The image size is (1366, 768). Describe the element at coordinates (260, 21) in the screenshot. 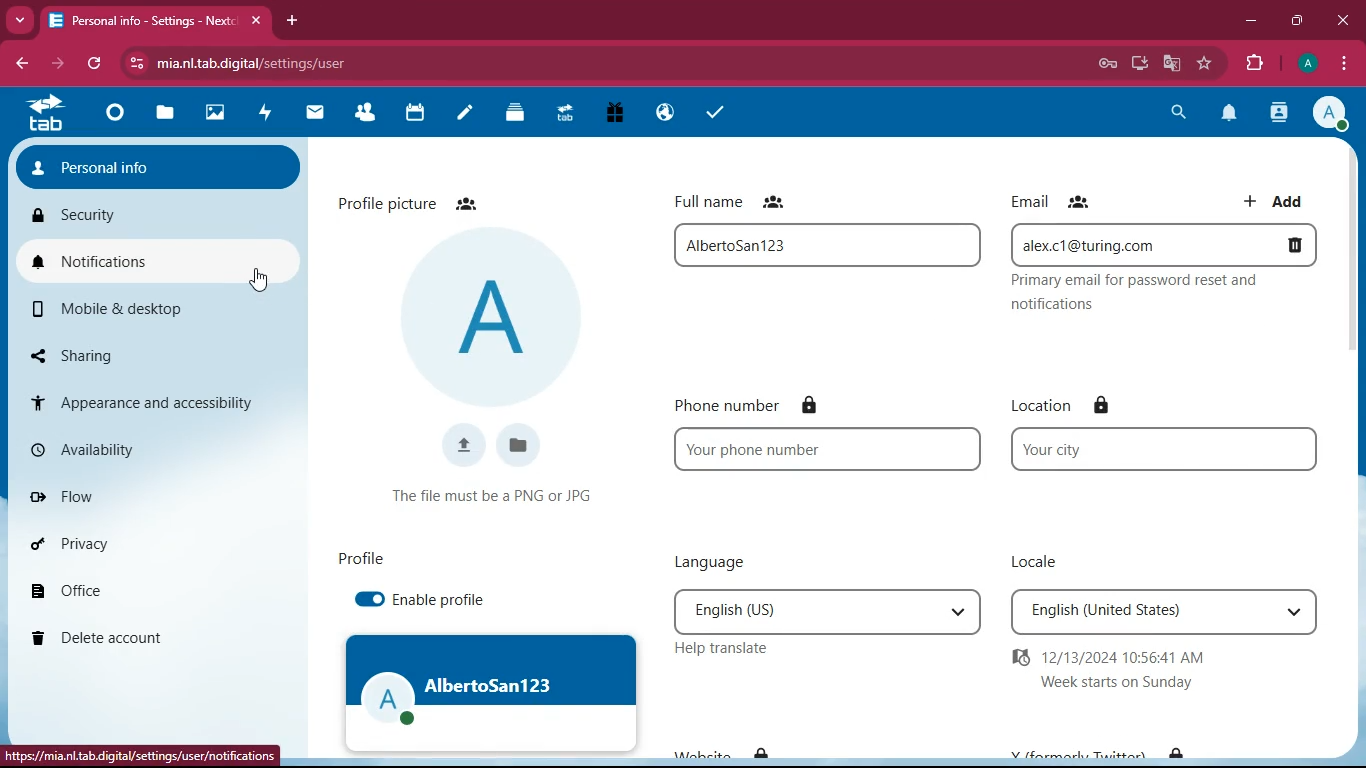

I see `close` at that location.